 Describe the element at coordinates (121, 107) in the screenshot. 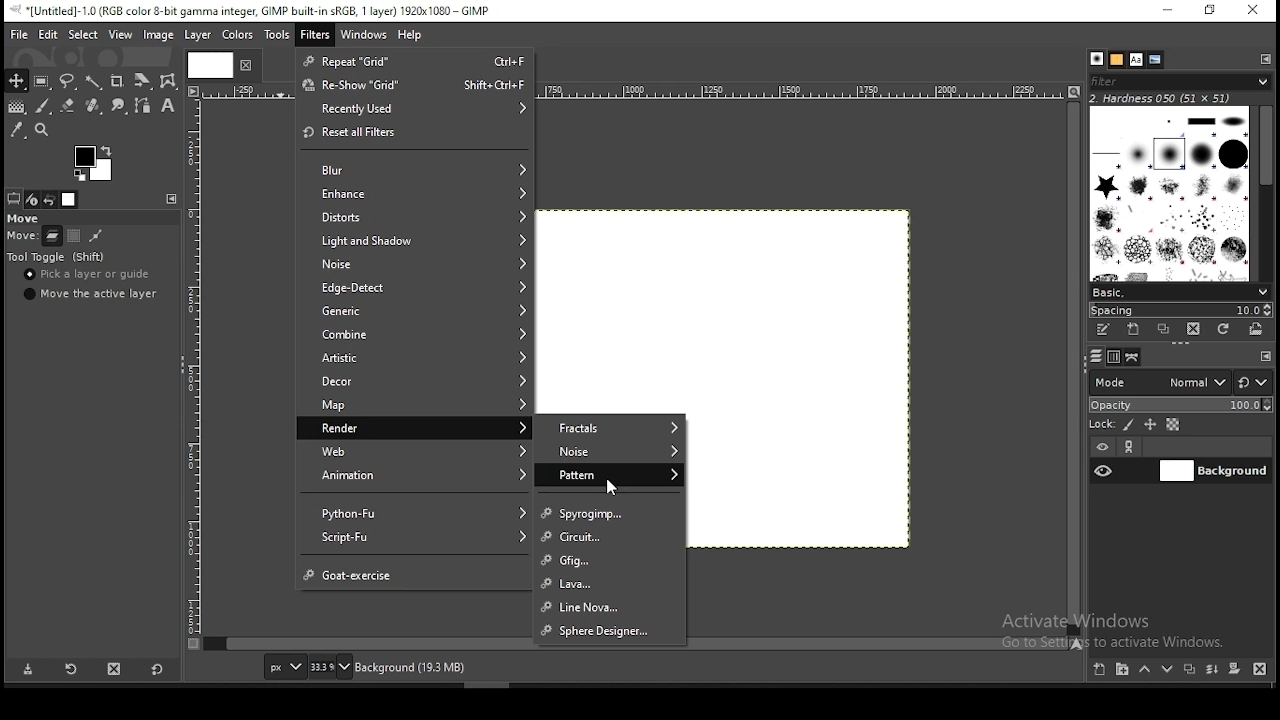

I see `smudge tool` at that location.